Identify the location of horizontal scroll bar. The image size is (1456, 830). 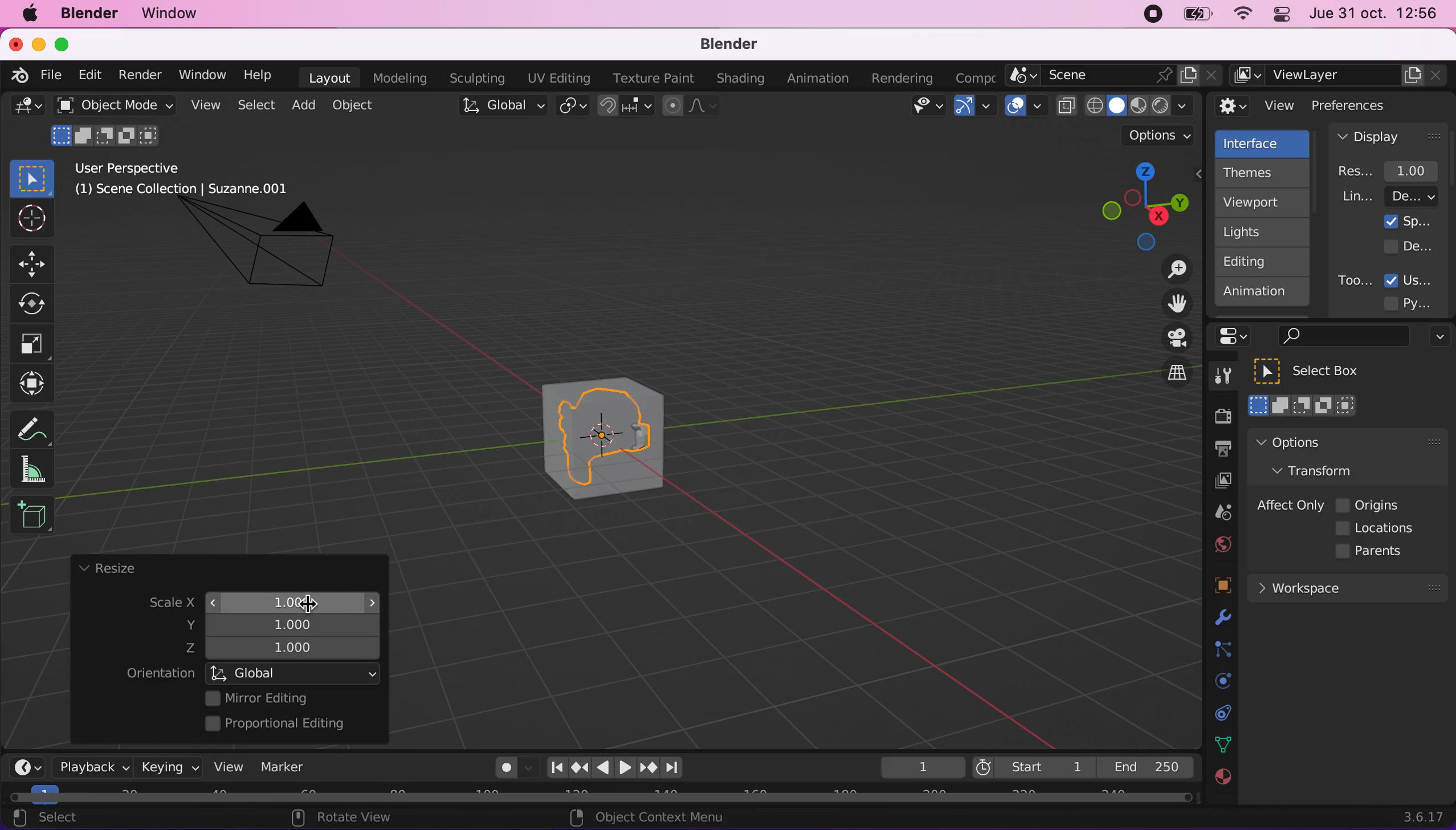
(601, 798).